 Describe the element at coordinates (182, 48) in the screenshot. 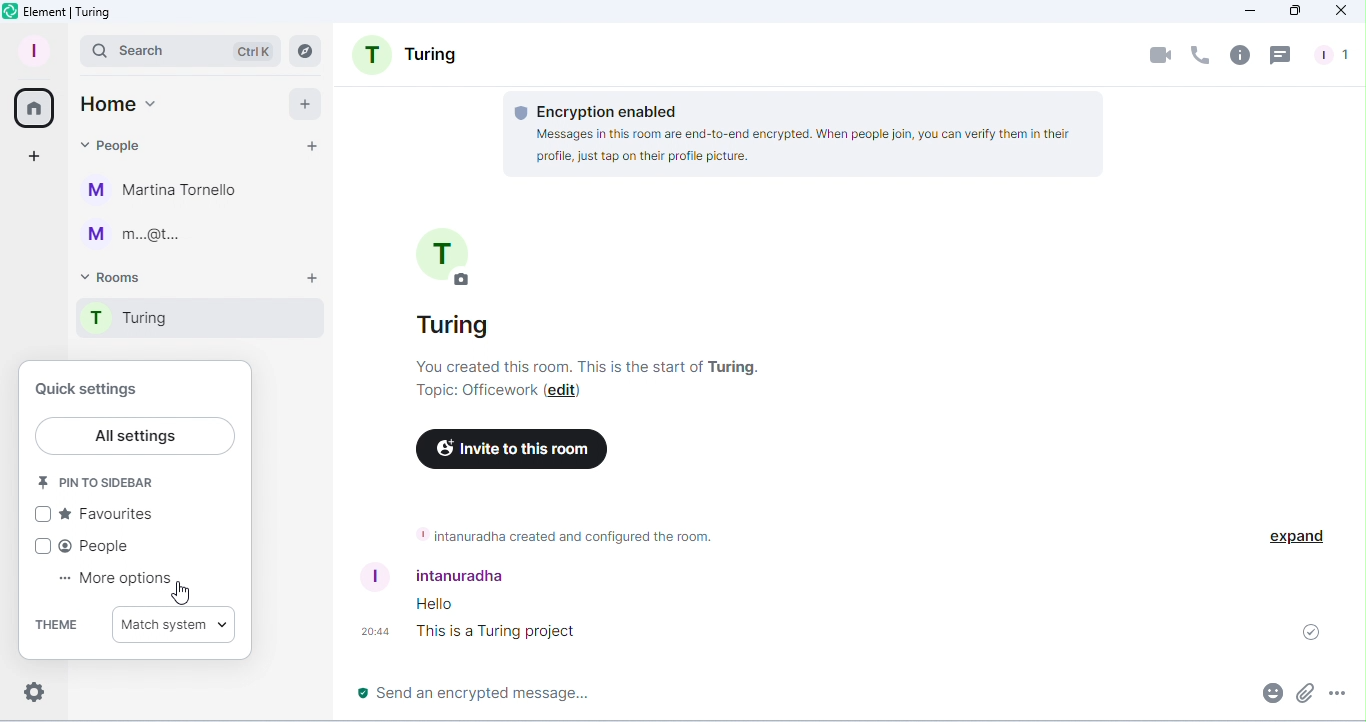

I see `Search bar` at that location.